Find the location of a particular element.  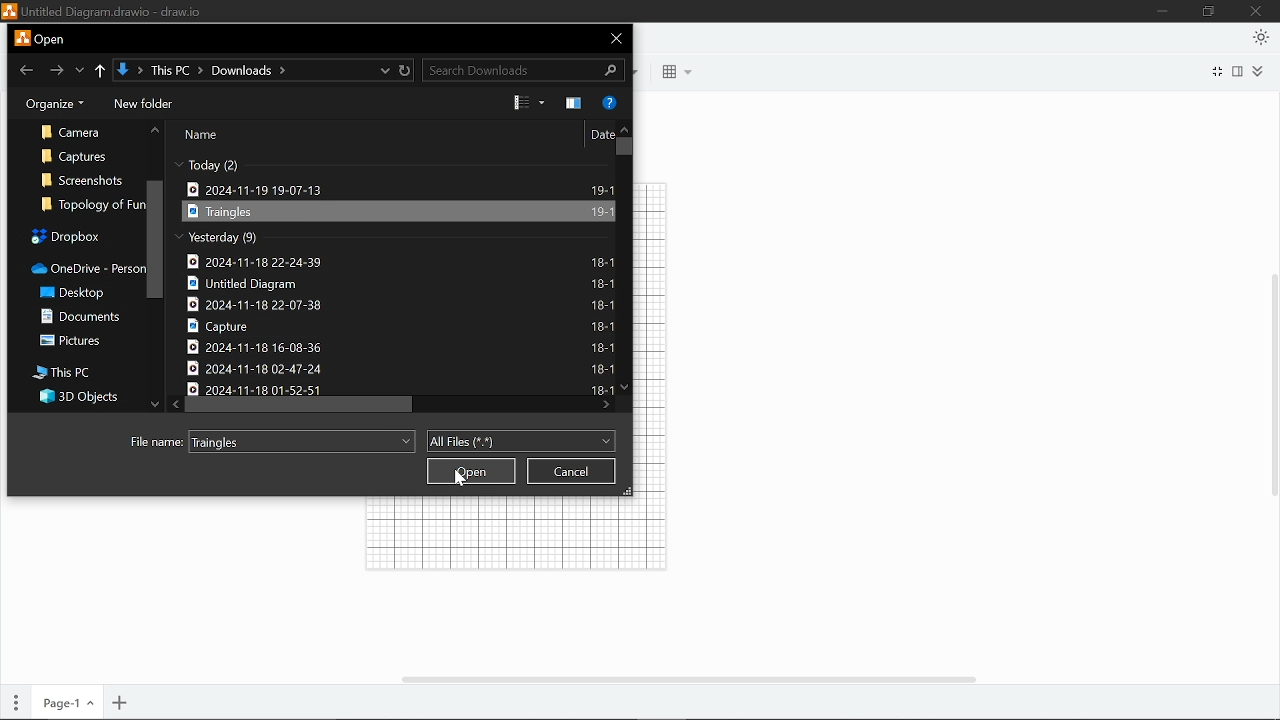

2024-11-18 22-07-38   18-1 is located at coordinates (400, 305).